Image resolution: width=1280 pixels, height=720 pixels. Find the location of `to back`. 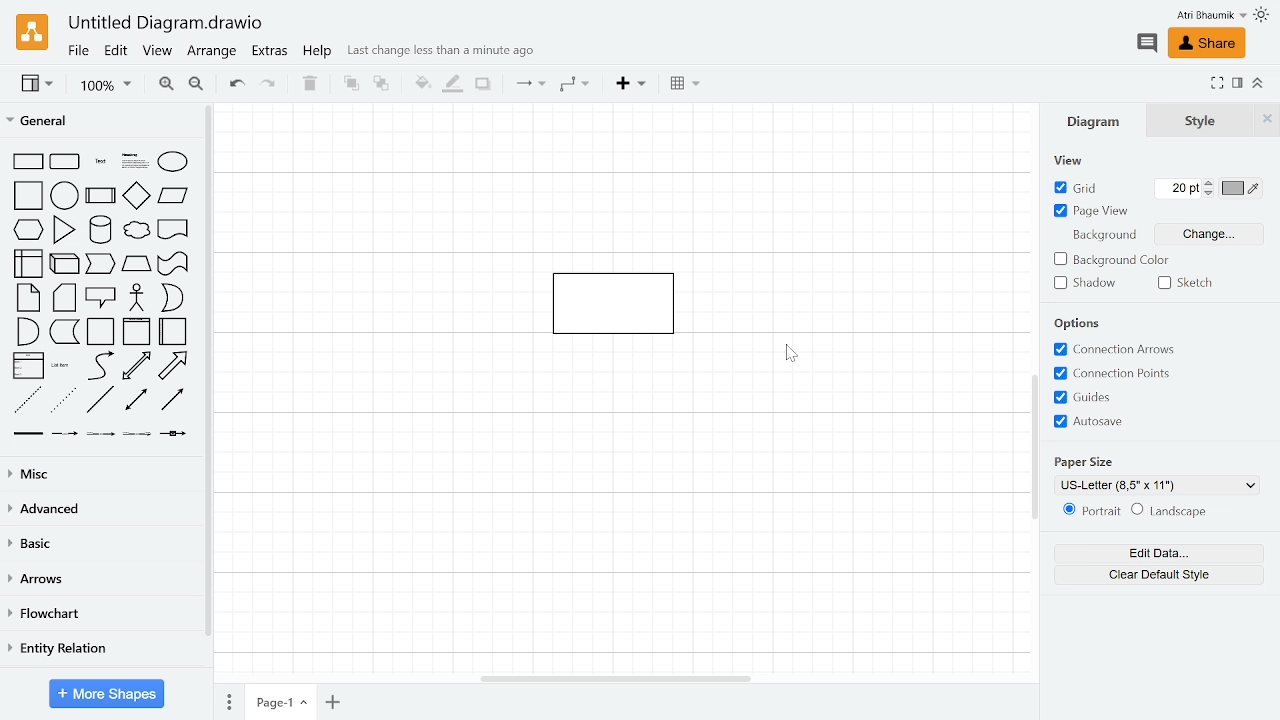

to back is located at coordinates (381, 86).